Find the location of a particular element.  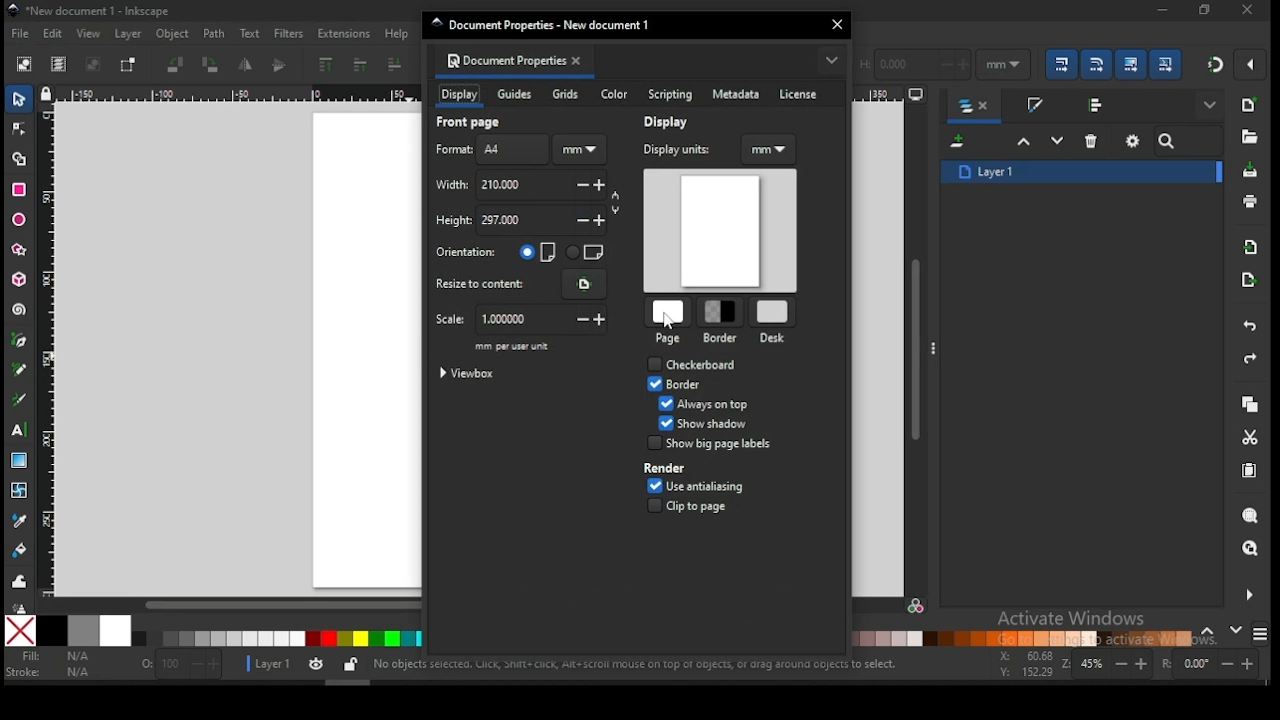

height is located at coordinates (526, 222).